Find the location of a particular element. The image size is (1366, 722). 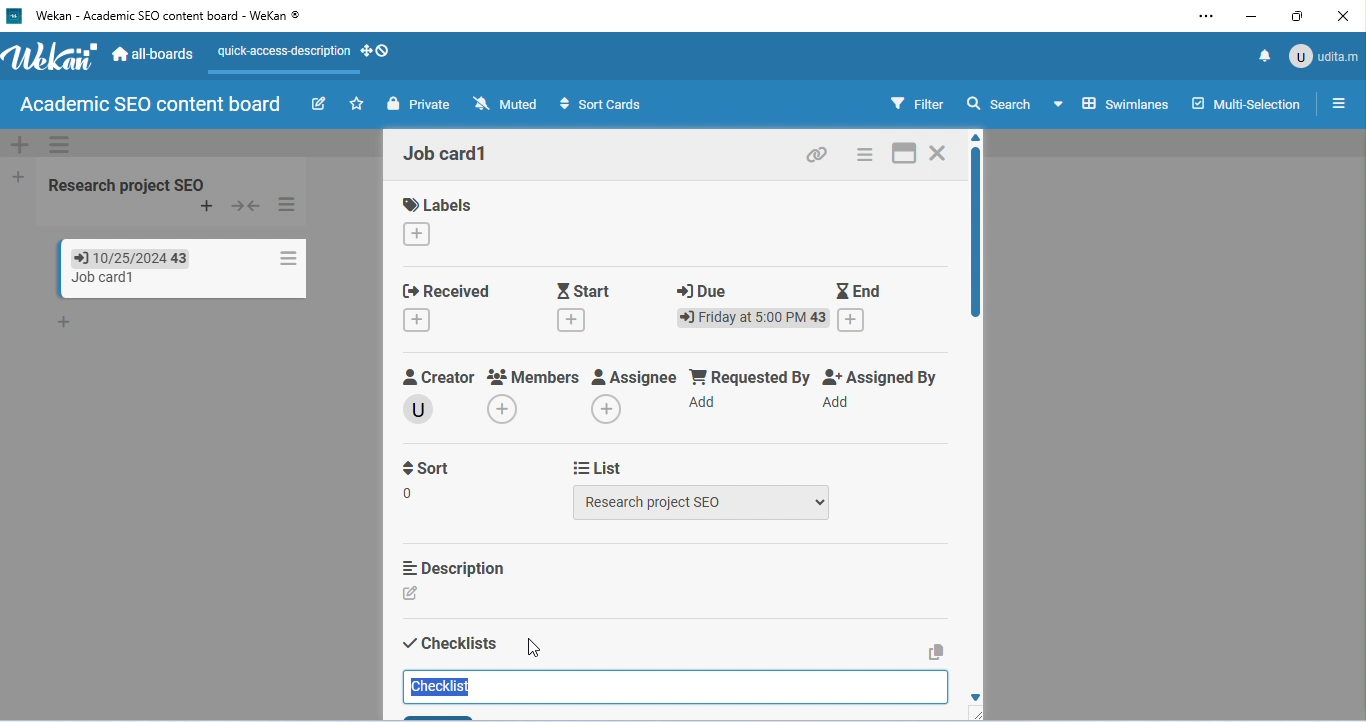

quick-access-description is located at coordinates (279, 58).